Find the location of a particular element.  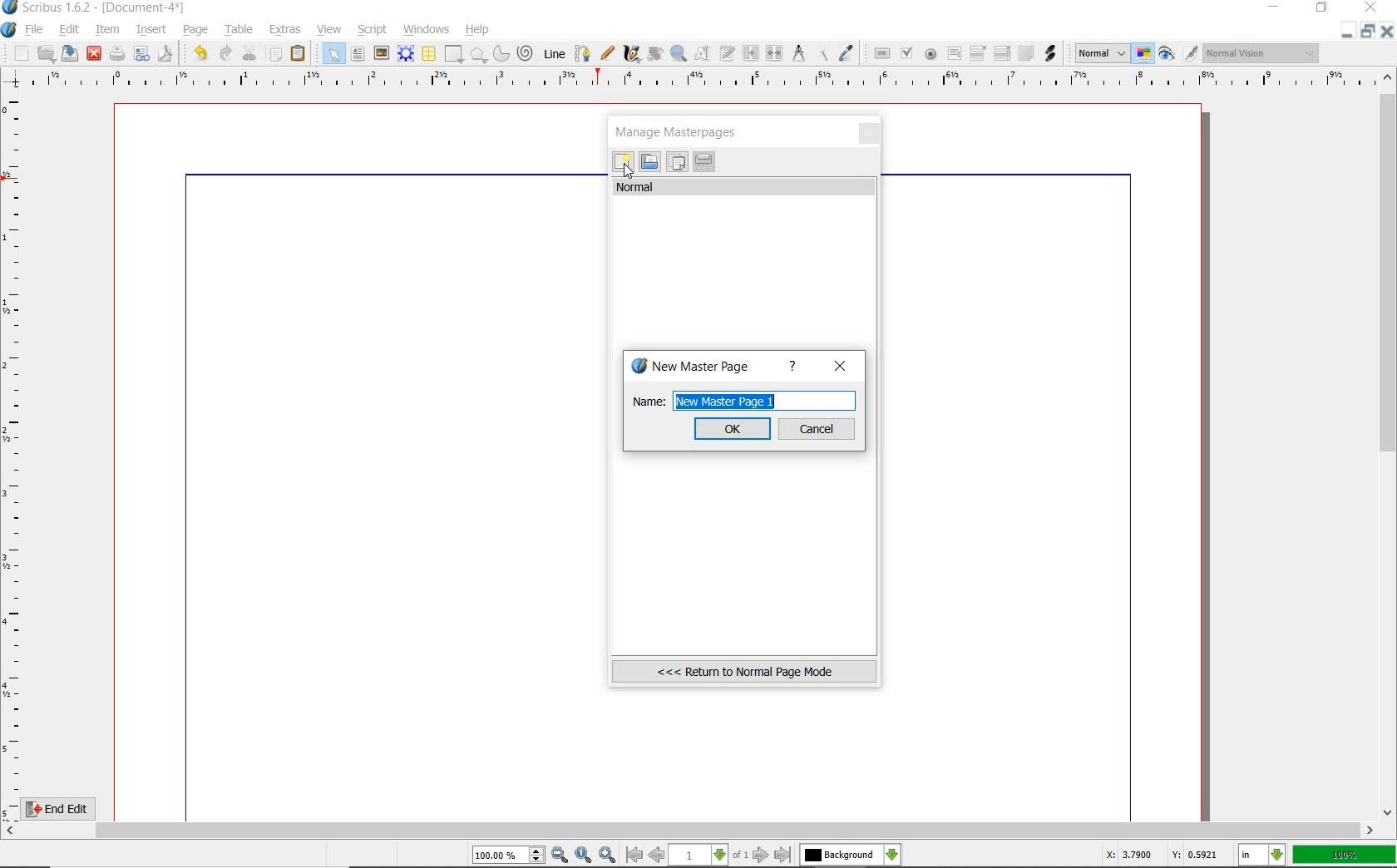

edit text with story editor is located at coordinates (728, 55).